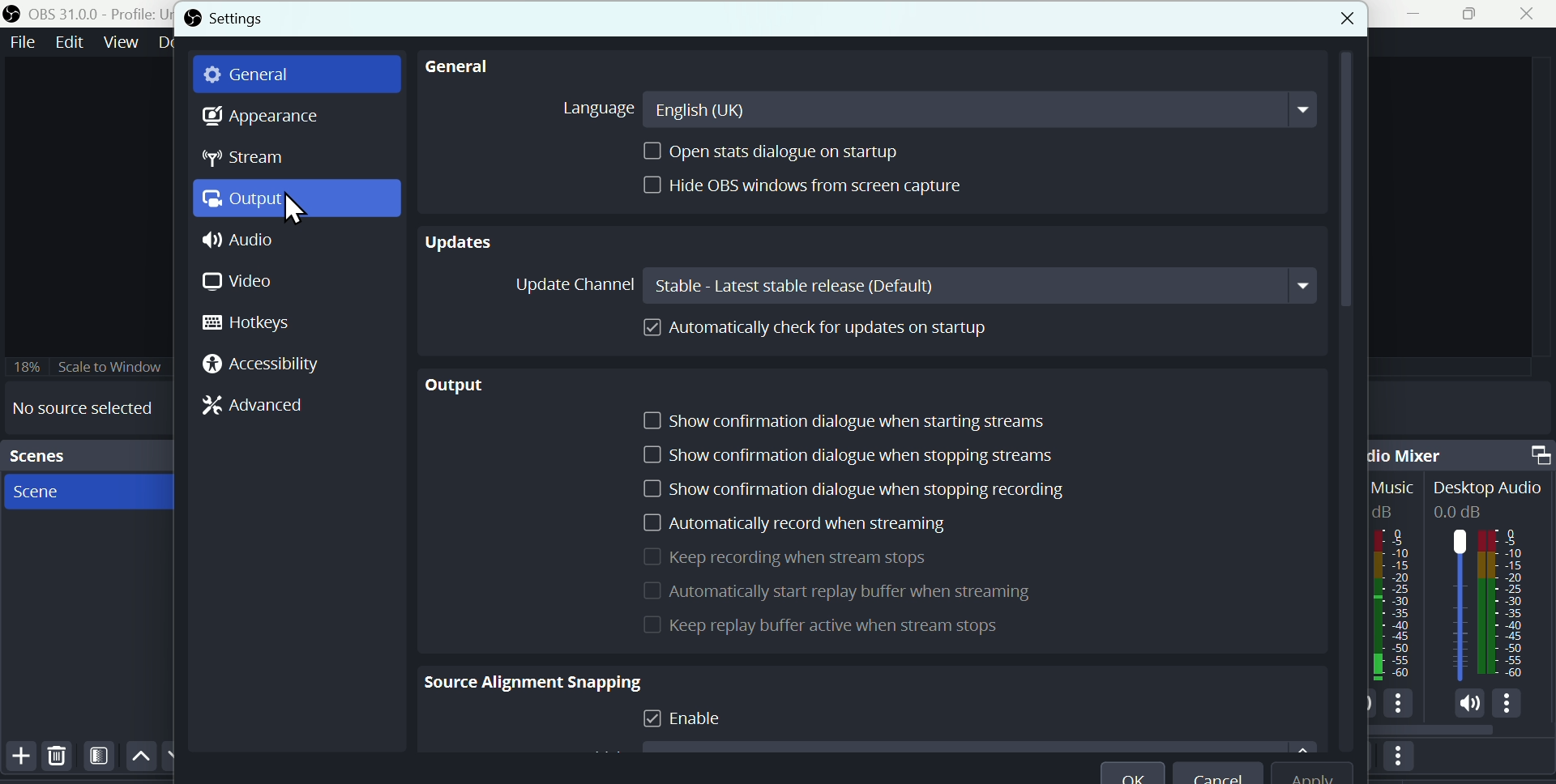 The width and height of the screenshot is (1556, 784). What do you see at coordinates (537, 682) in the screenshot?
I see `Source alignment snapping` at bounding box center [537, 682].